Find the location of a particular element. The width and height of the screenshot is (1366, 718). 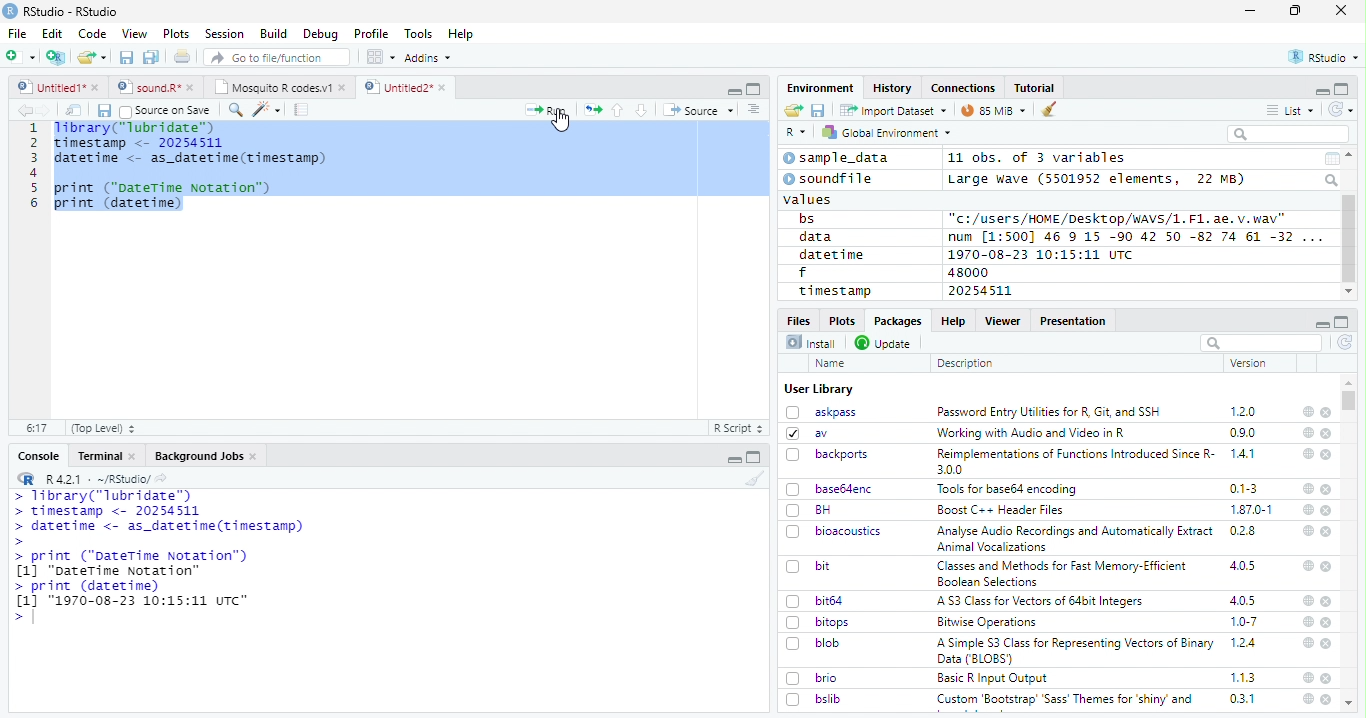

datetime is located at coordinates (831, 254).